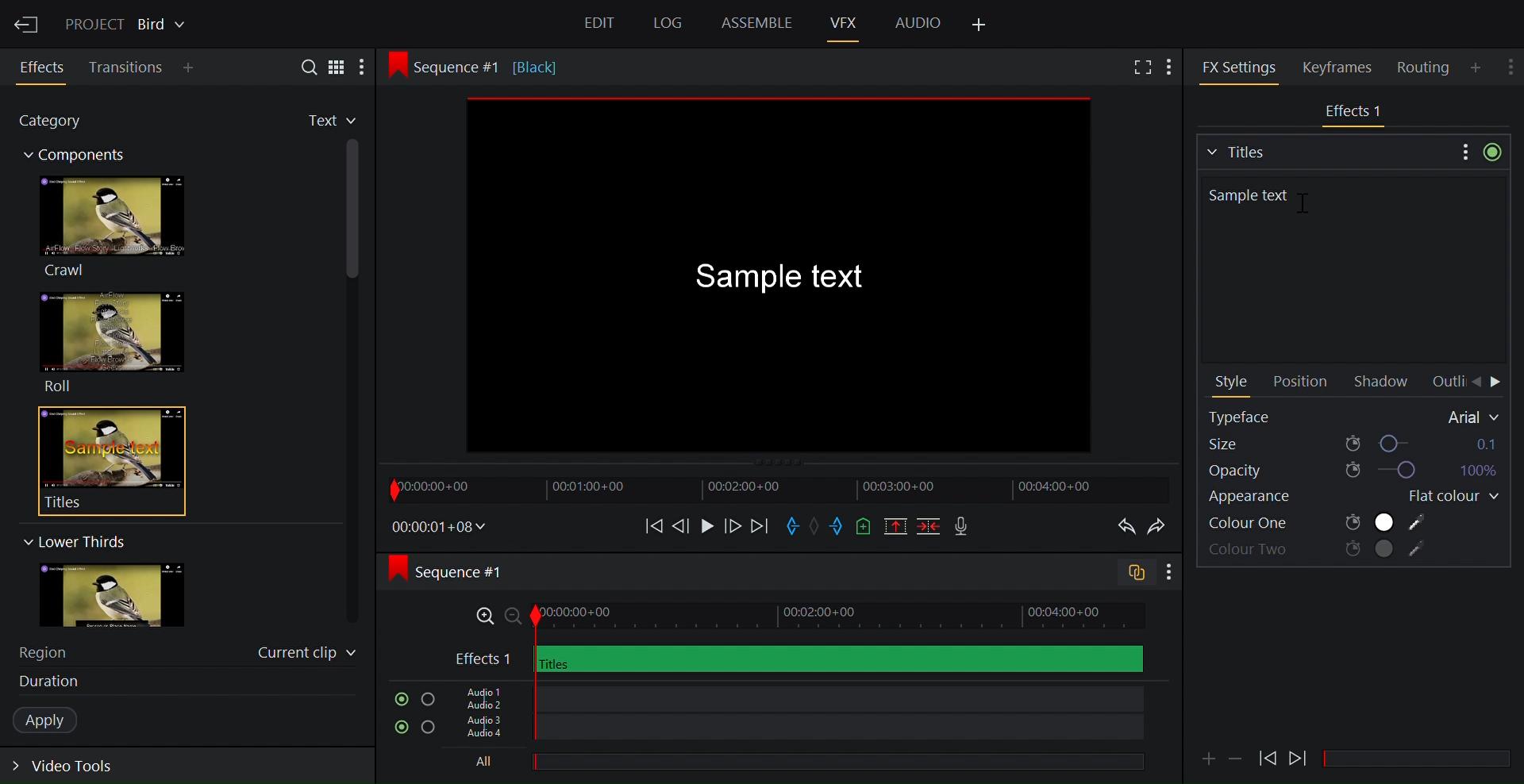 This screenshot has width=1524, height=784. I want to click on Sequence, so click(495, 66).